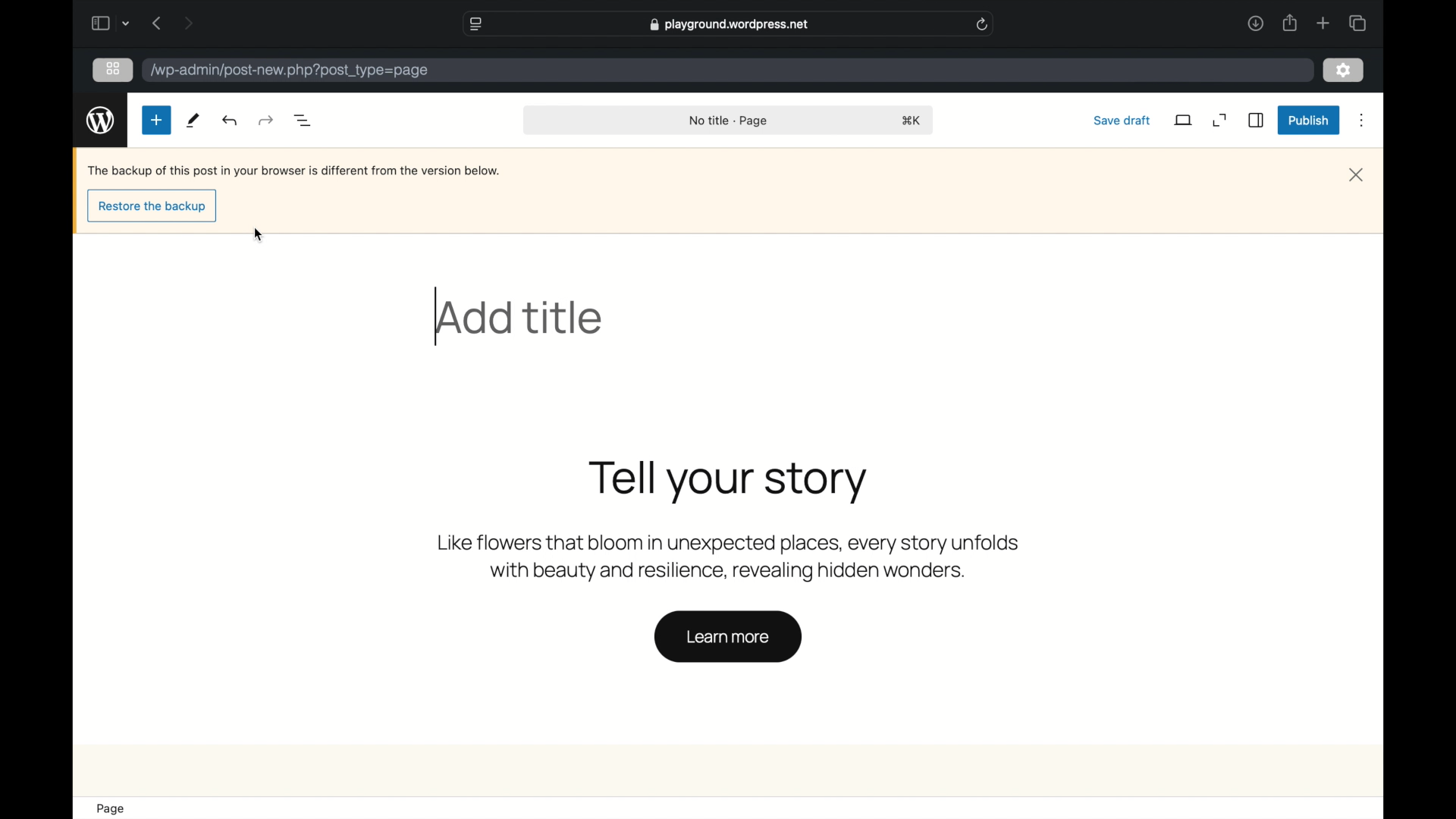 This screenshot has height=819, width=1456. Describe the element at coordinates (727, 637) in the screenshot. I see `learn more` at that location.